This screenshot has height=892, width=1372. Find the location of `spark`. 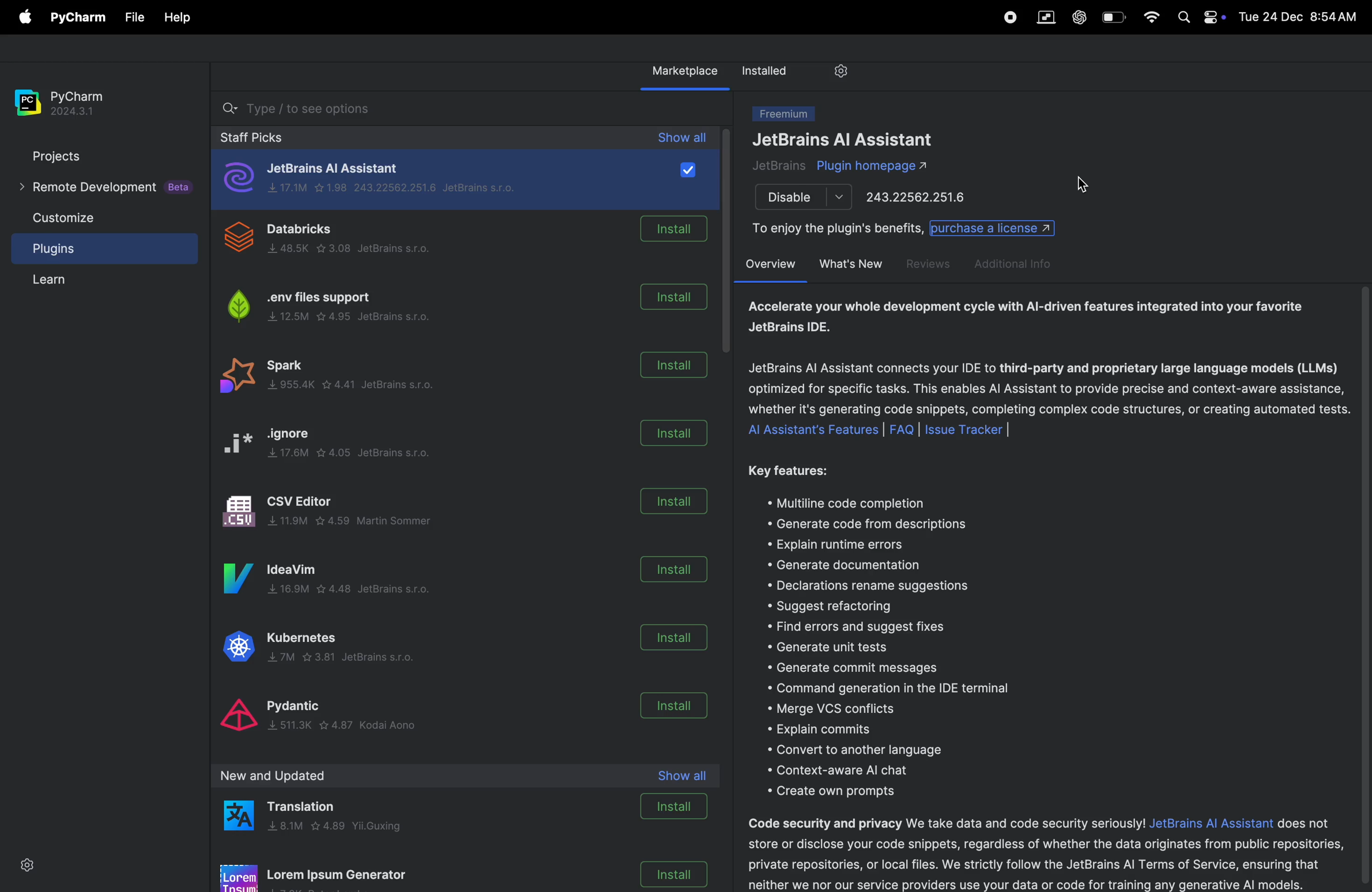

spark is located at coordinates (341, 388).